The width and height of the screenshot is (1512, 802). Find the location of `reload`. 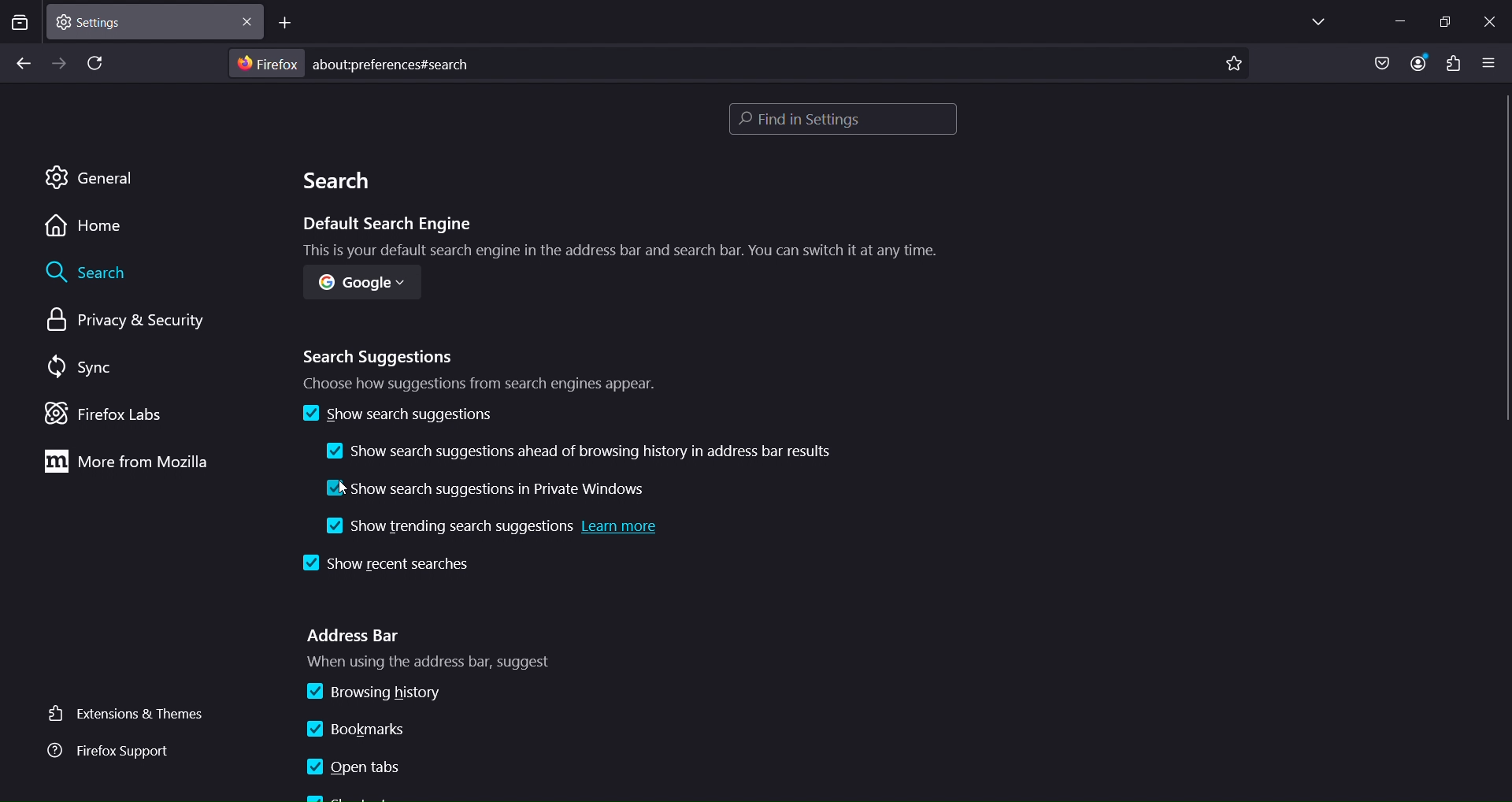

reload is located at coordinates (98, 65).